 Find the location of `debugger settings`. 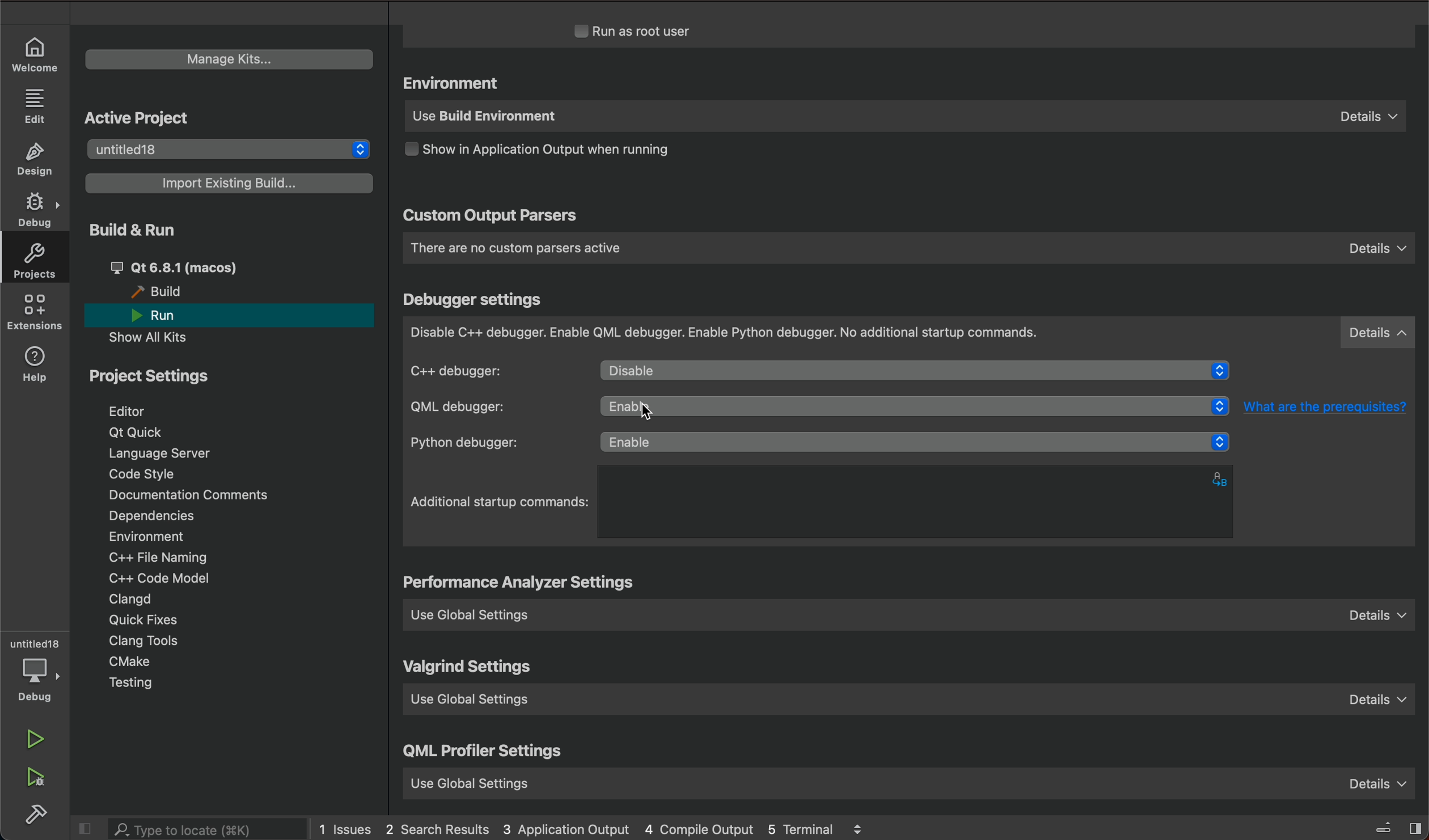

debugger settings is located at coordinates (475, 300).